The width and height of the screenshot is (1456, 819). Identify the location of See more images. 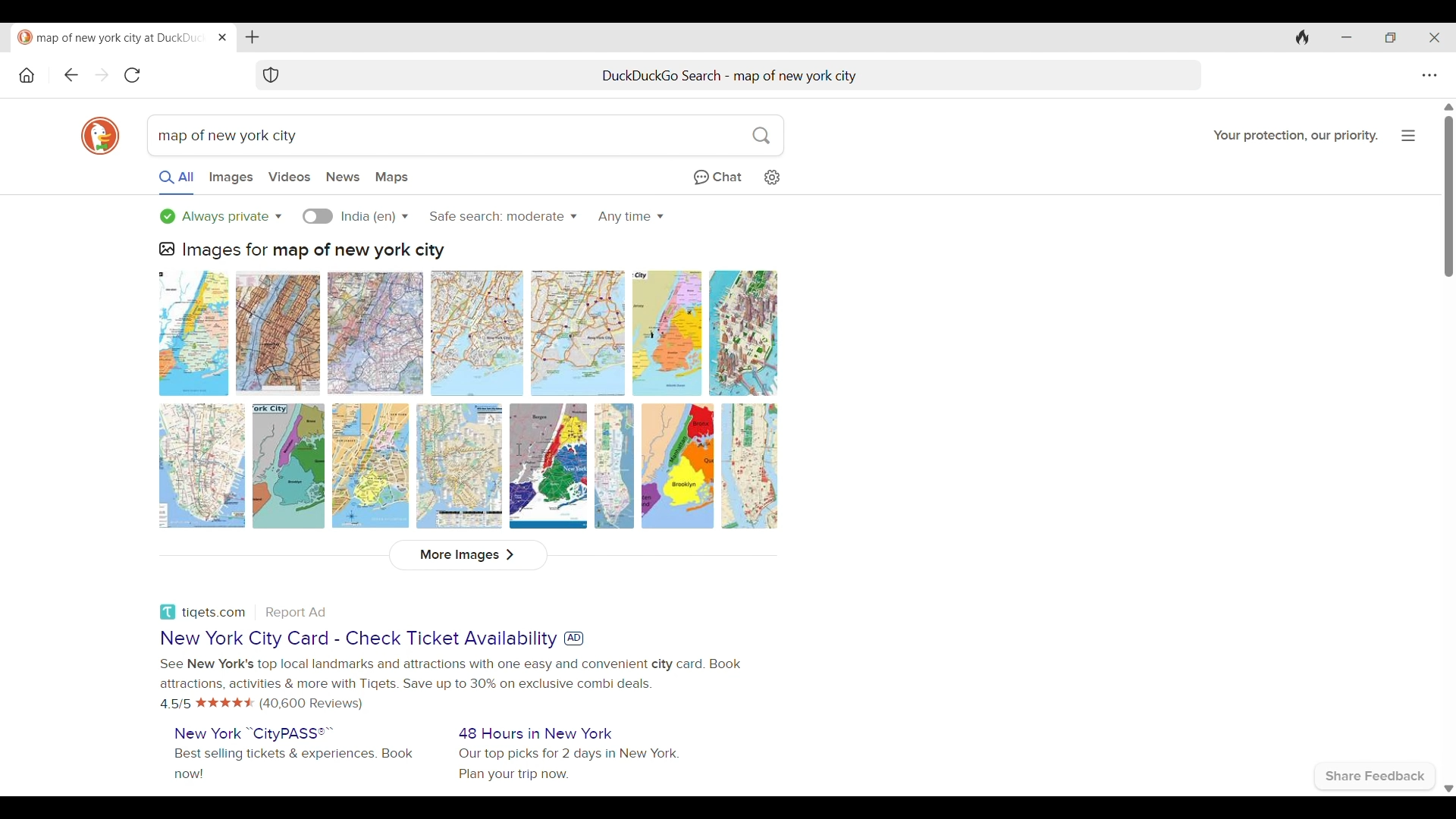
(469, 556).